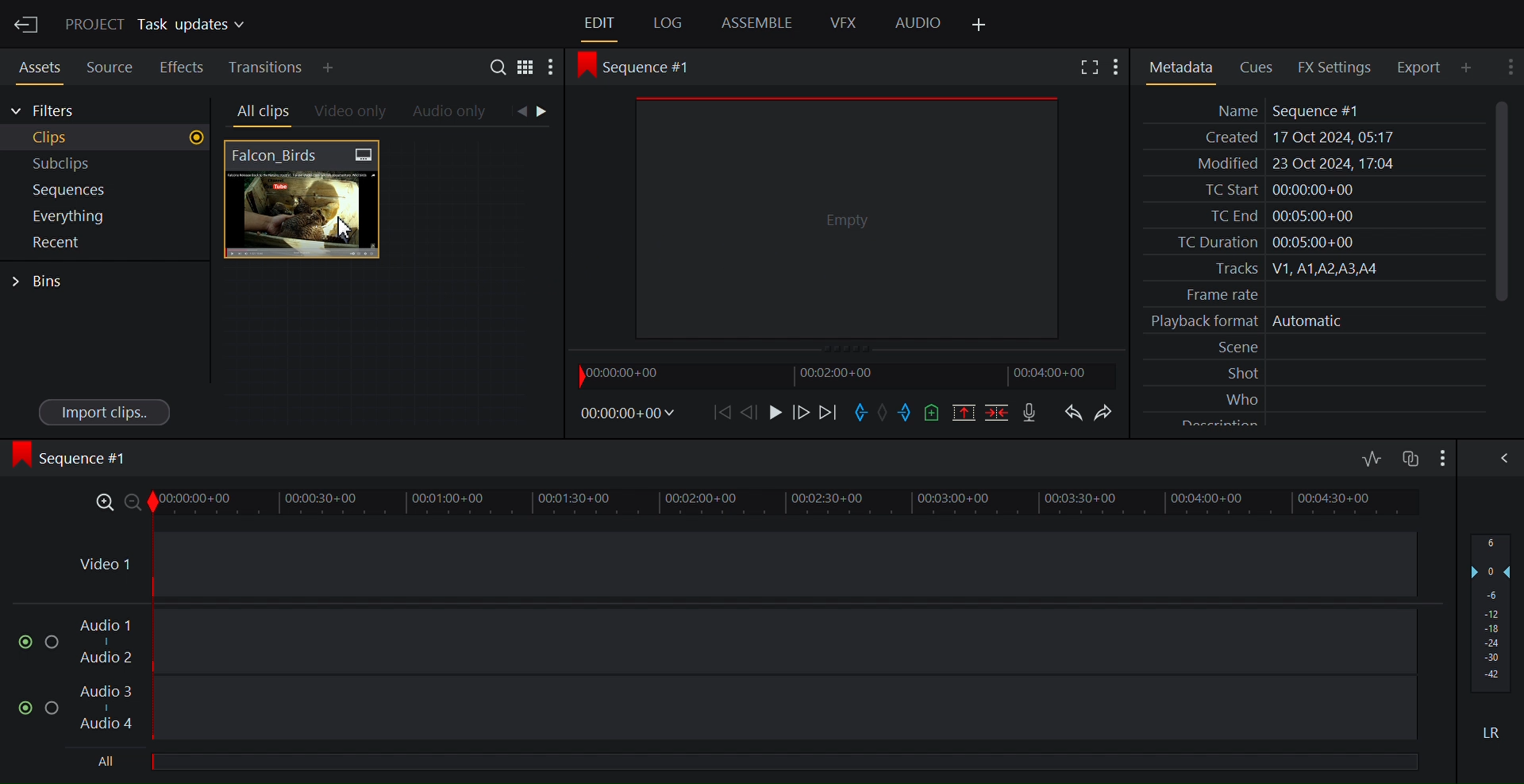  Describe the element at coordinates (1508, 66) in the screenshot. I see `Show settings menu` at that location.